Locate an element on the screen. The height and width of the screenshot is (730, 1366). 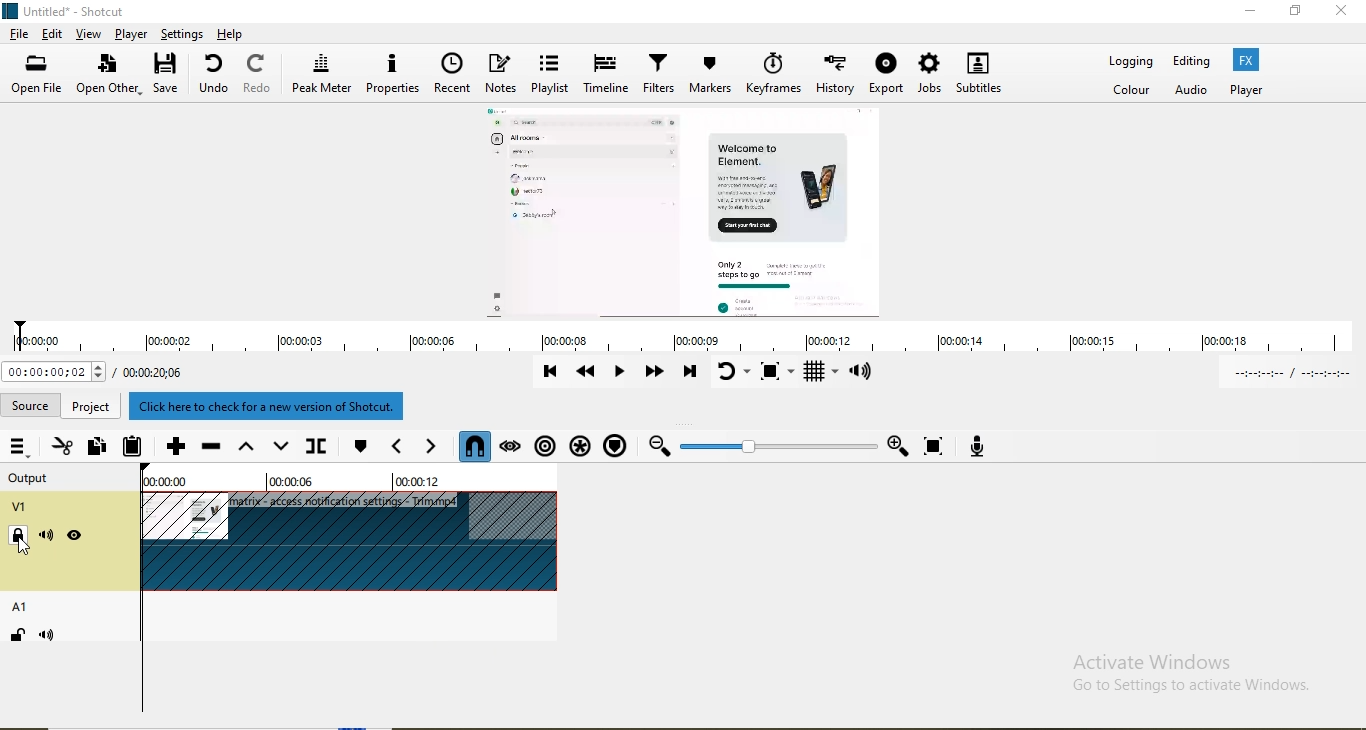
Next marker is located at coordinates (431, 447).